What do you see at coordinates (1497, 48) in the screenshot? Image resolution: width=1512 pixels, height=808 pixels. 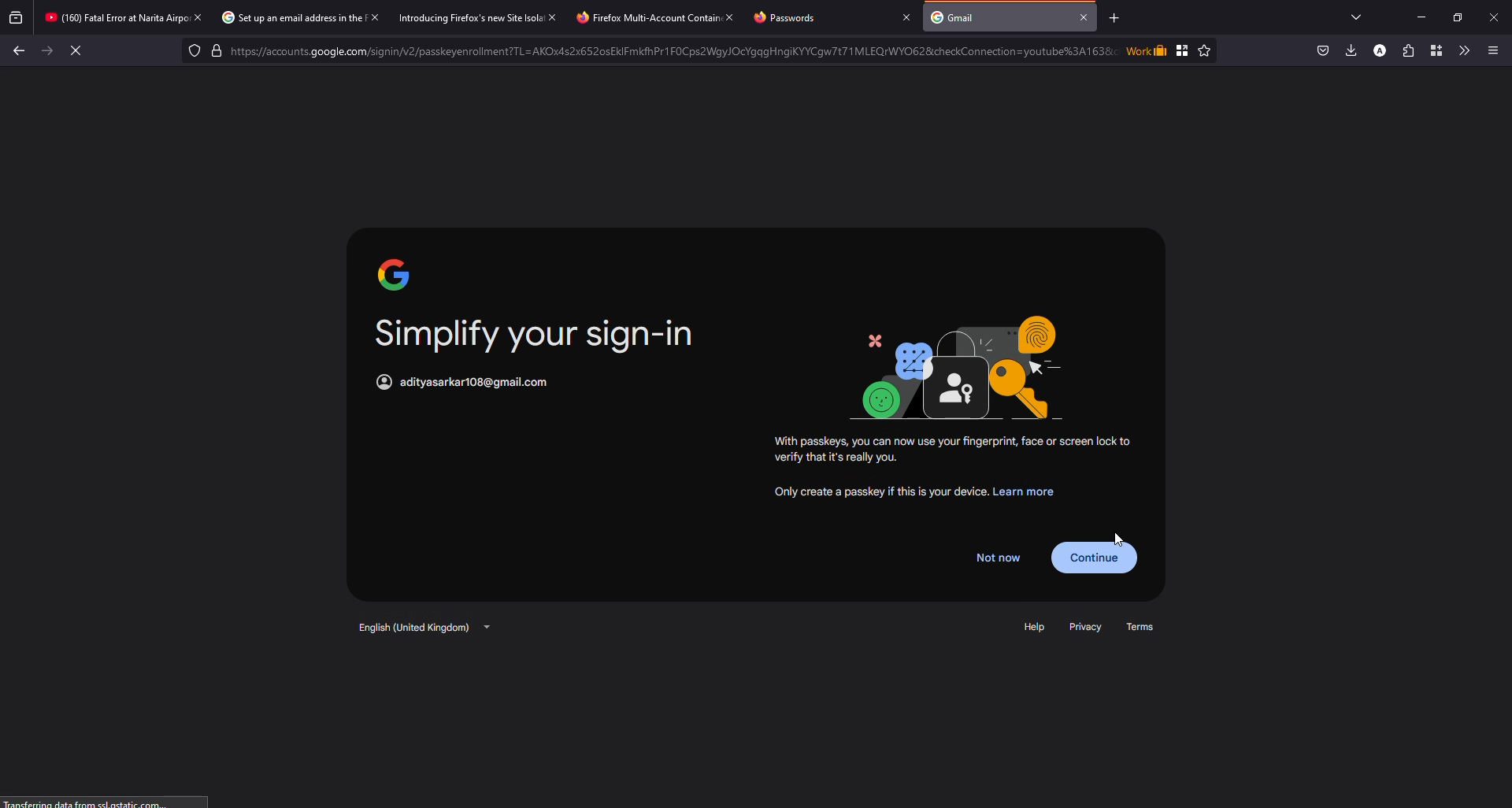 I see `More options` at bounding box center [1497, 48].